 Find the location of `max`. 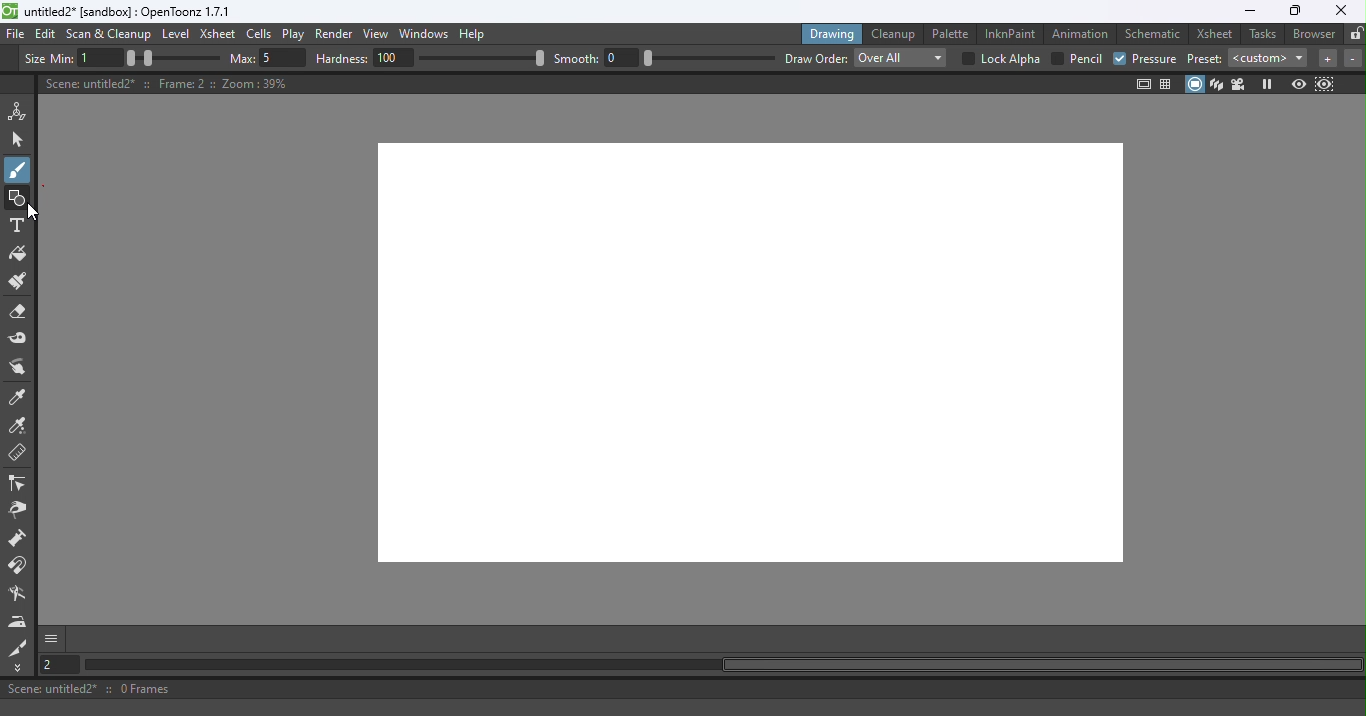

max is located at coordinates (242, 58).